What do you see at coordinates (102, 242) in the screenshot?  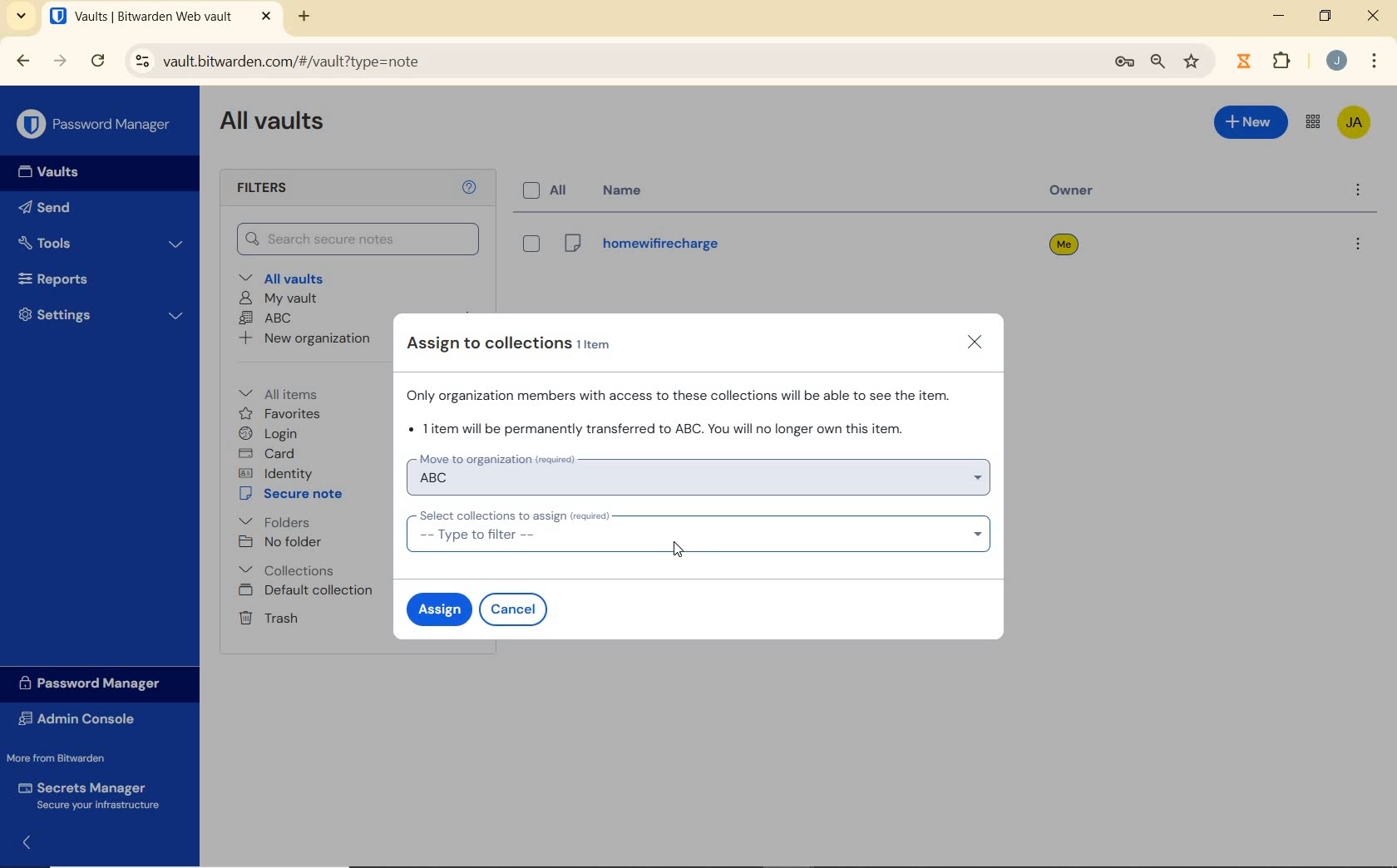 I see `Tools` at bounding box center [102, 242].